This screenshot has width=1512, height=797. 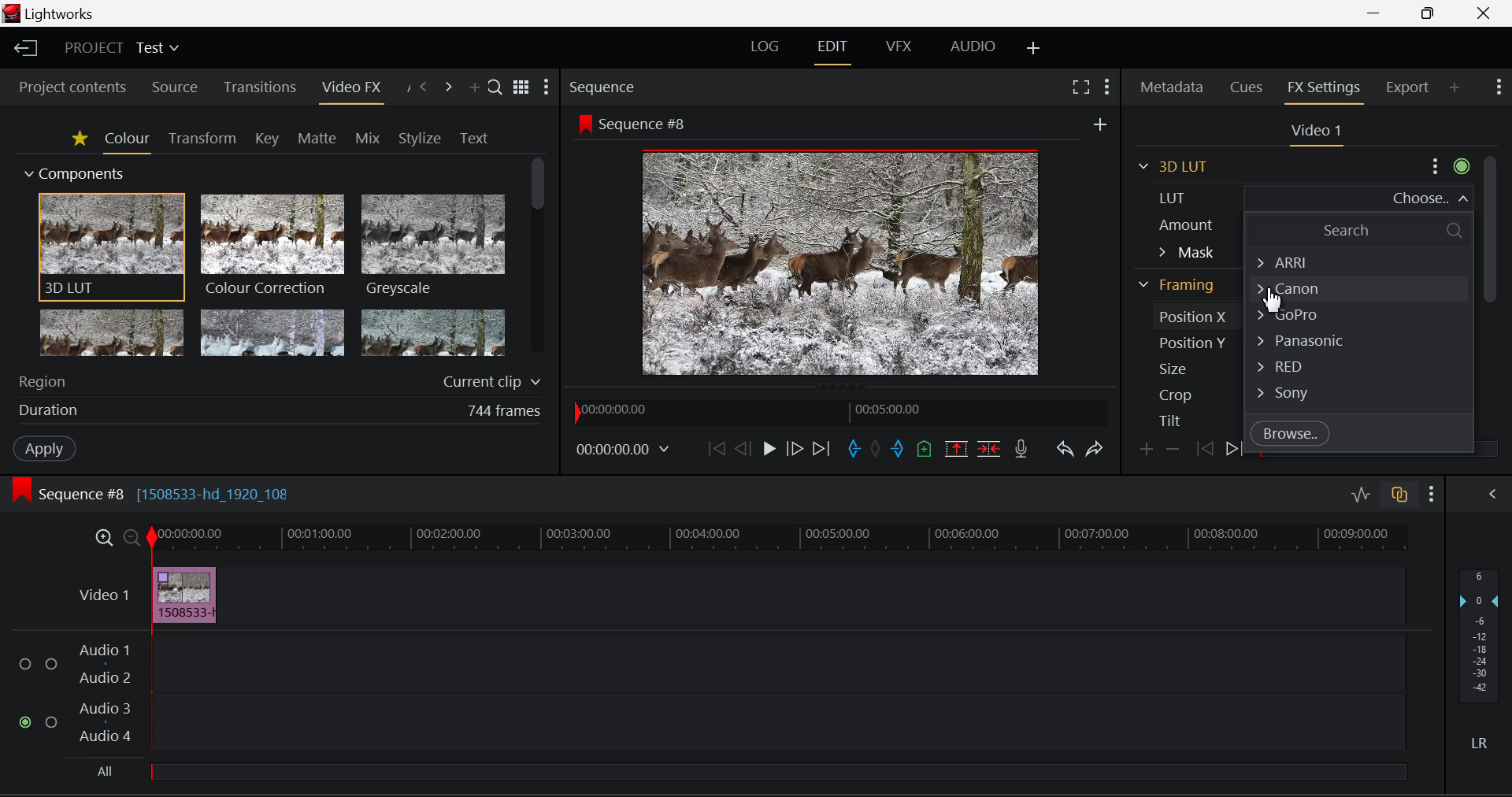 I want to click on Favorites, so click(x=80, y=140).